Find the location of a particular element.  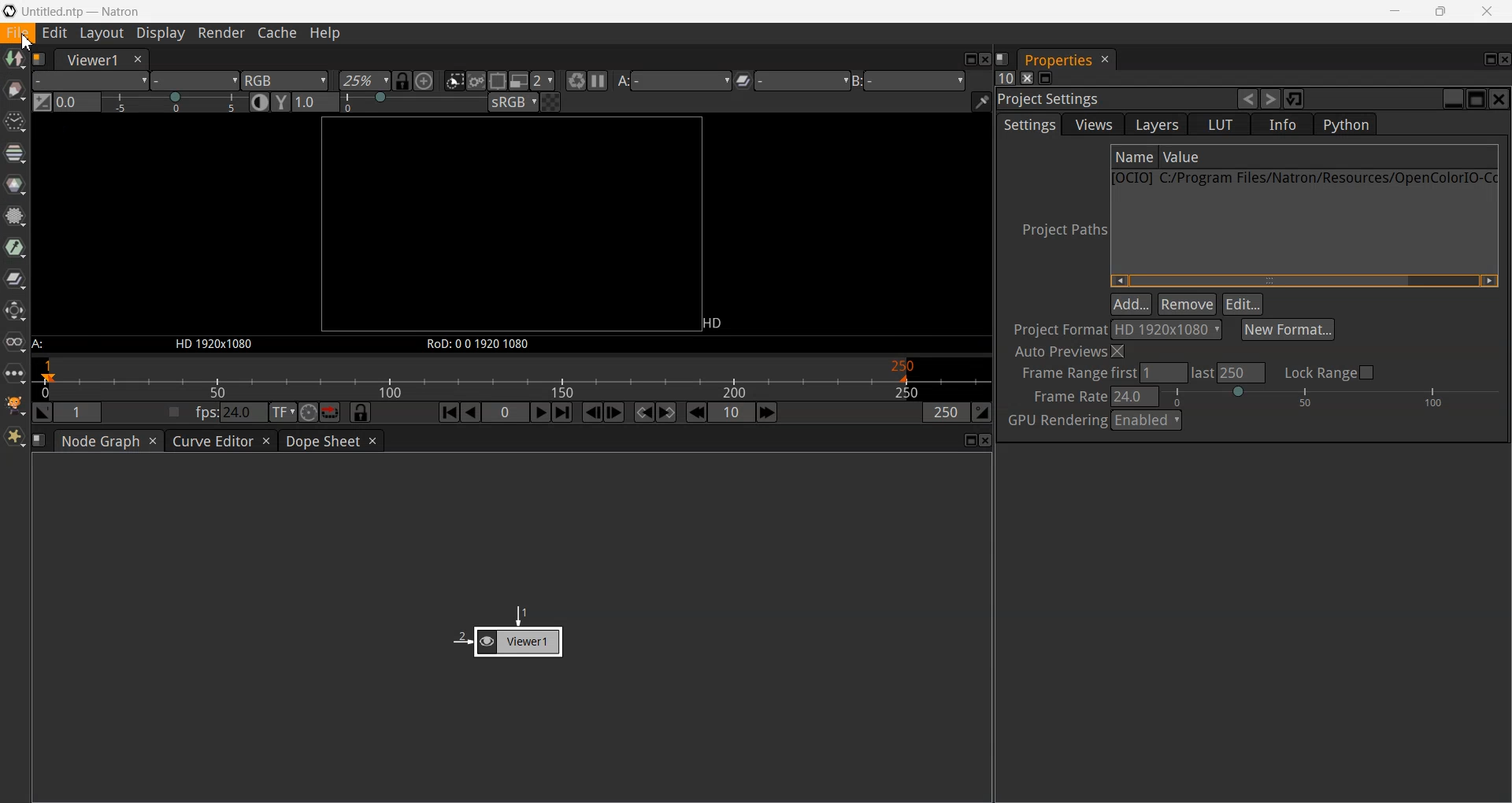

Close node graph is located at coordinates (154, 441).